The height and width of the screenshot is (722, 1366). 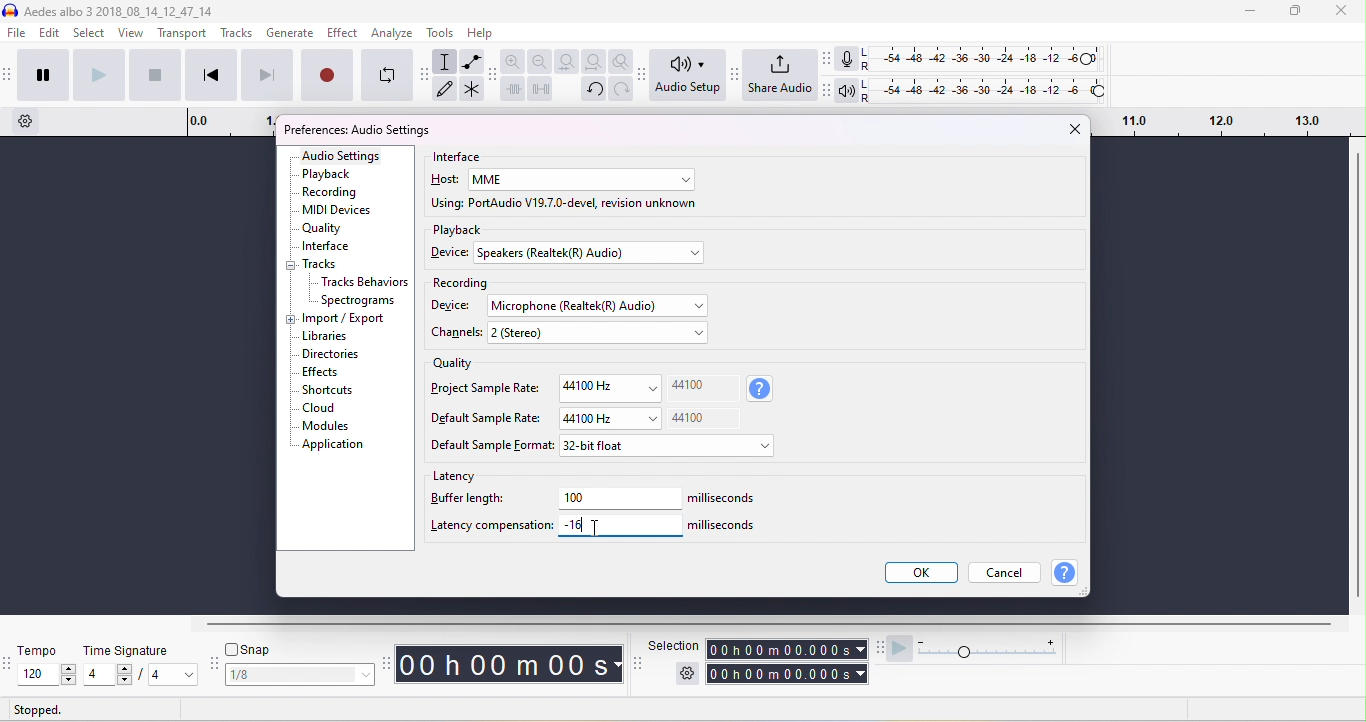 What do you see at coordinates (339, 211) in the screenshot?
I see `MIDI devices` at bounding box center [339, 211].